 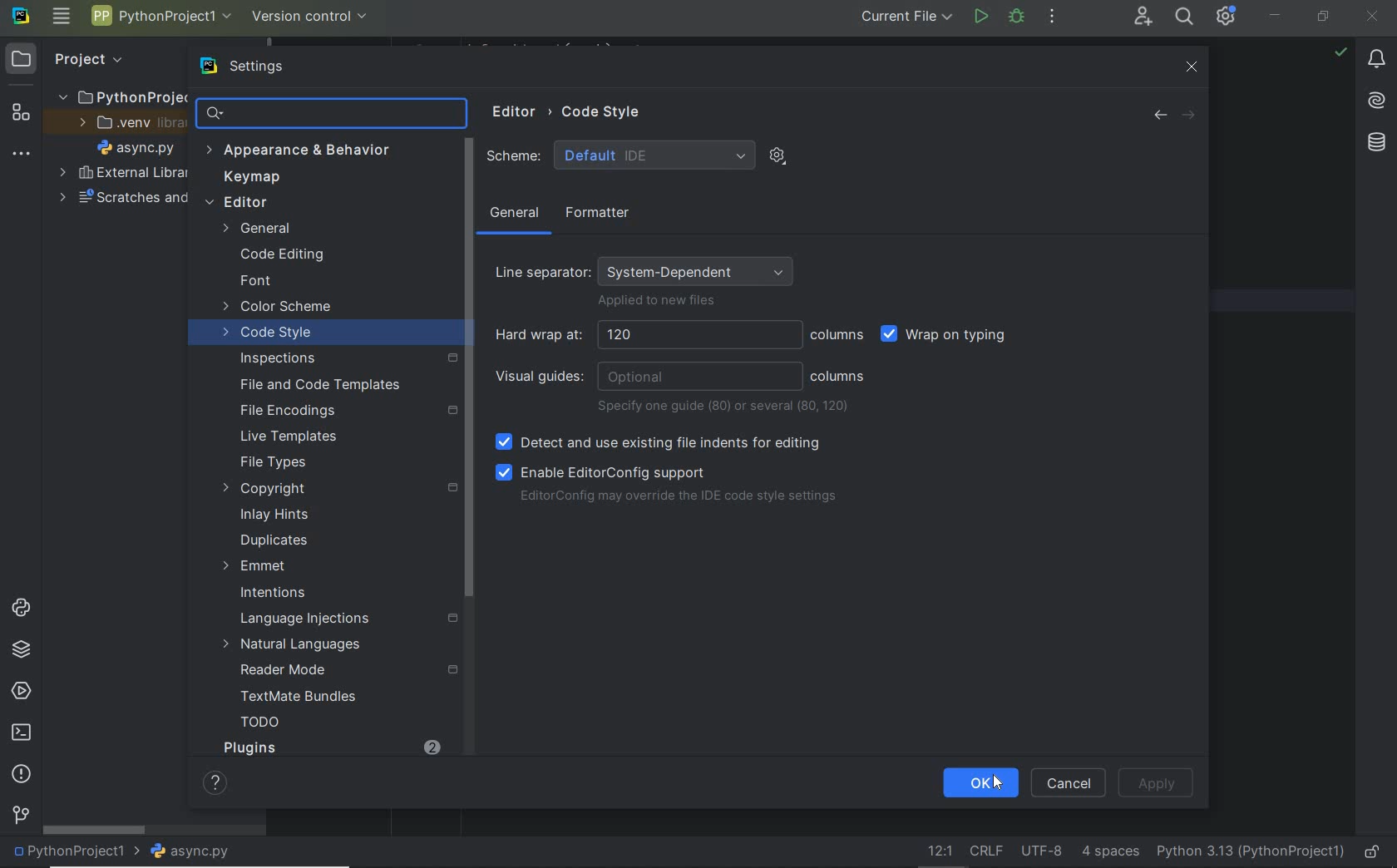 I want to click on search settings, so click(x=318, y=113).